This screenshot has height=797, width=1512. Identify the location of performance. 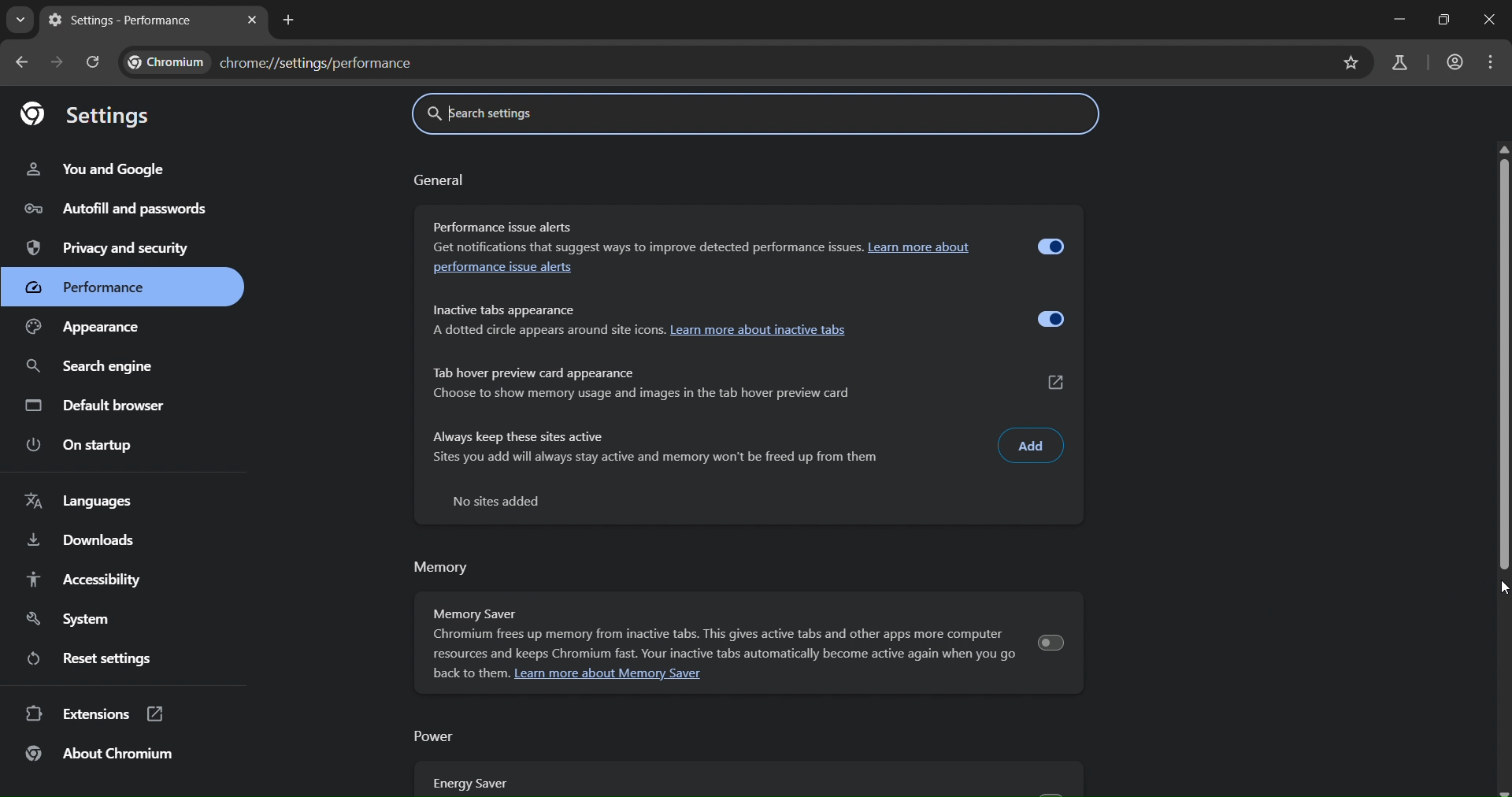
(93, 284).